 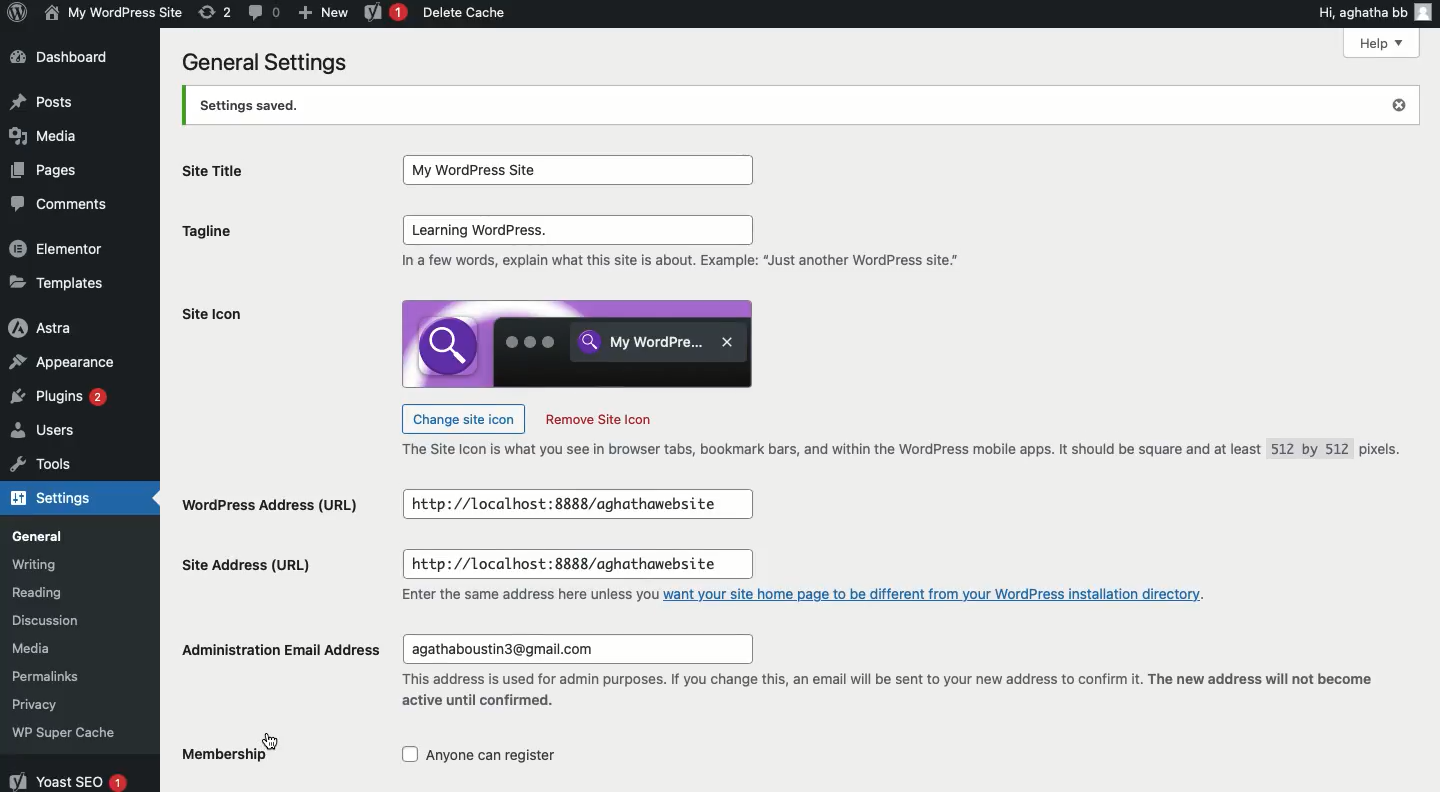 I want to click on Hi, agatha bb, so click(x=1360, y=11).